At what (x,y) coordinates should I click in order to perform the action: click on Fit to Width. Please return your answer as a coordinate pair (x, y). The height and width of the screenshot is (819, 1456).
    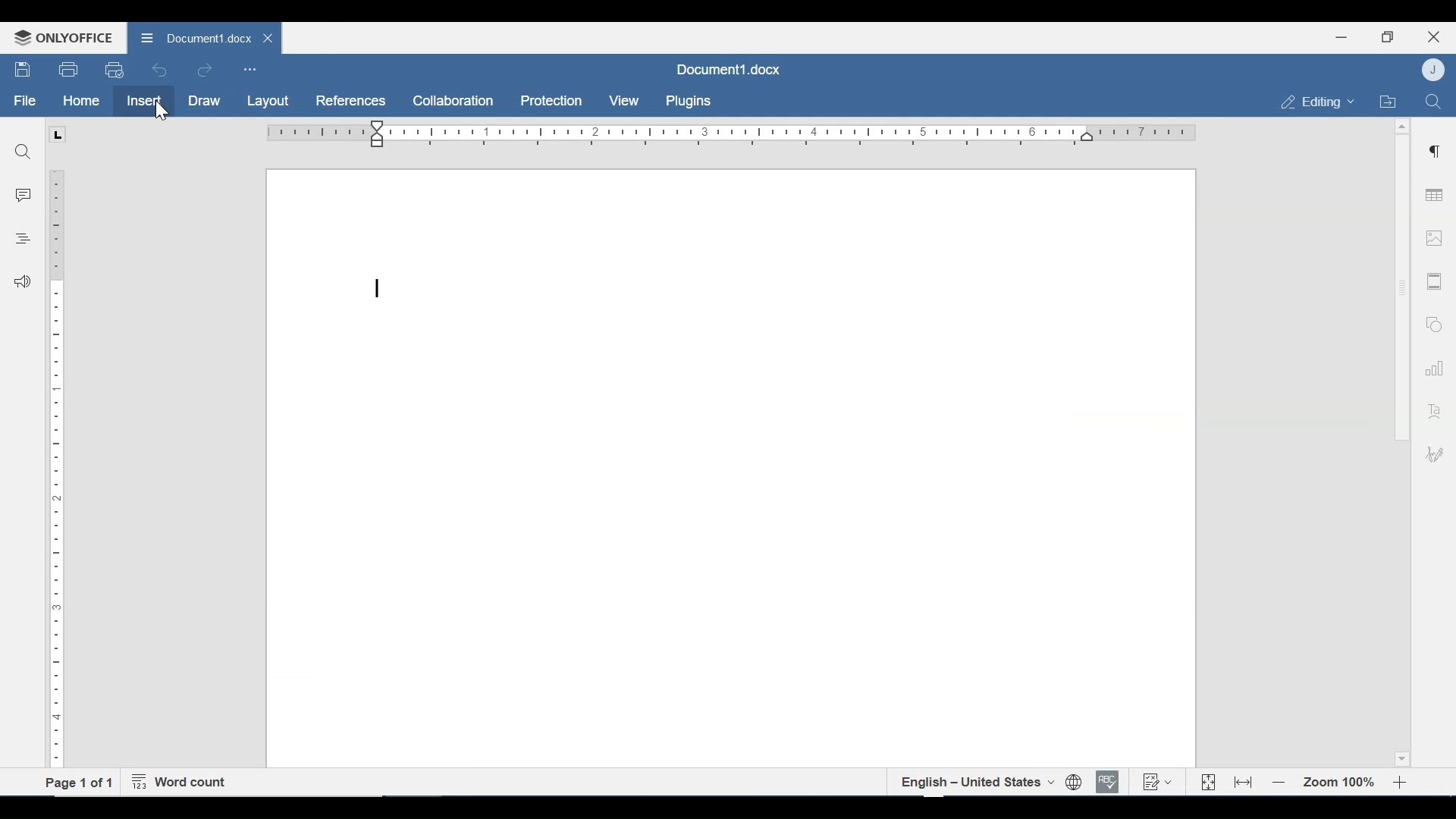
    Looking at the image, I should click on (1244, 781).